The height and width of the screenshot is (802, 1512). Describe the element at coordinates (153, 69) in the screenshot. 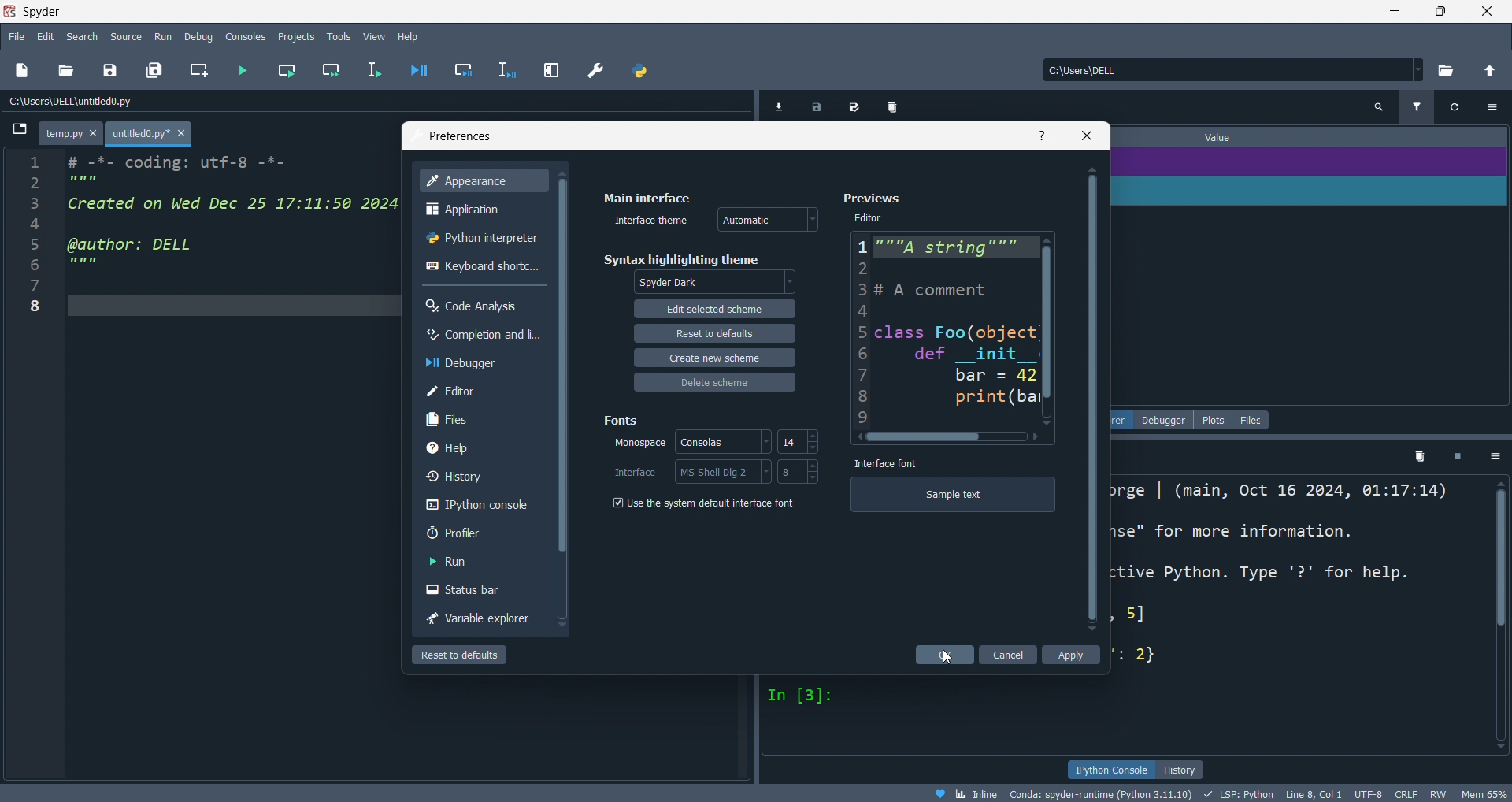

I see `save all file` at that location.